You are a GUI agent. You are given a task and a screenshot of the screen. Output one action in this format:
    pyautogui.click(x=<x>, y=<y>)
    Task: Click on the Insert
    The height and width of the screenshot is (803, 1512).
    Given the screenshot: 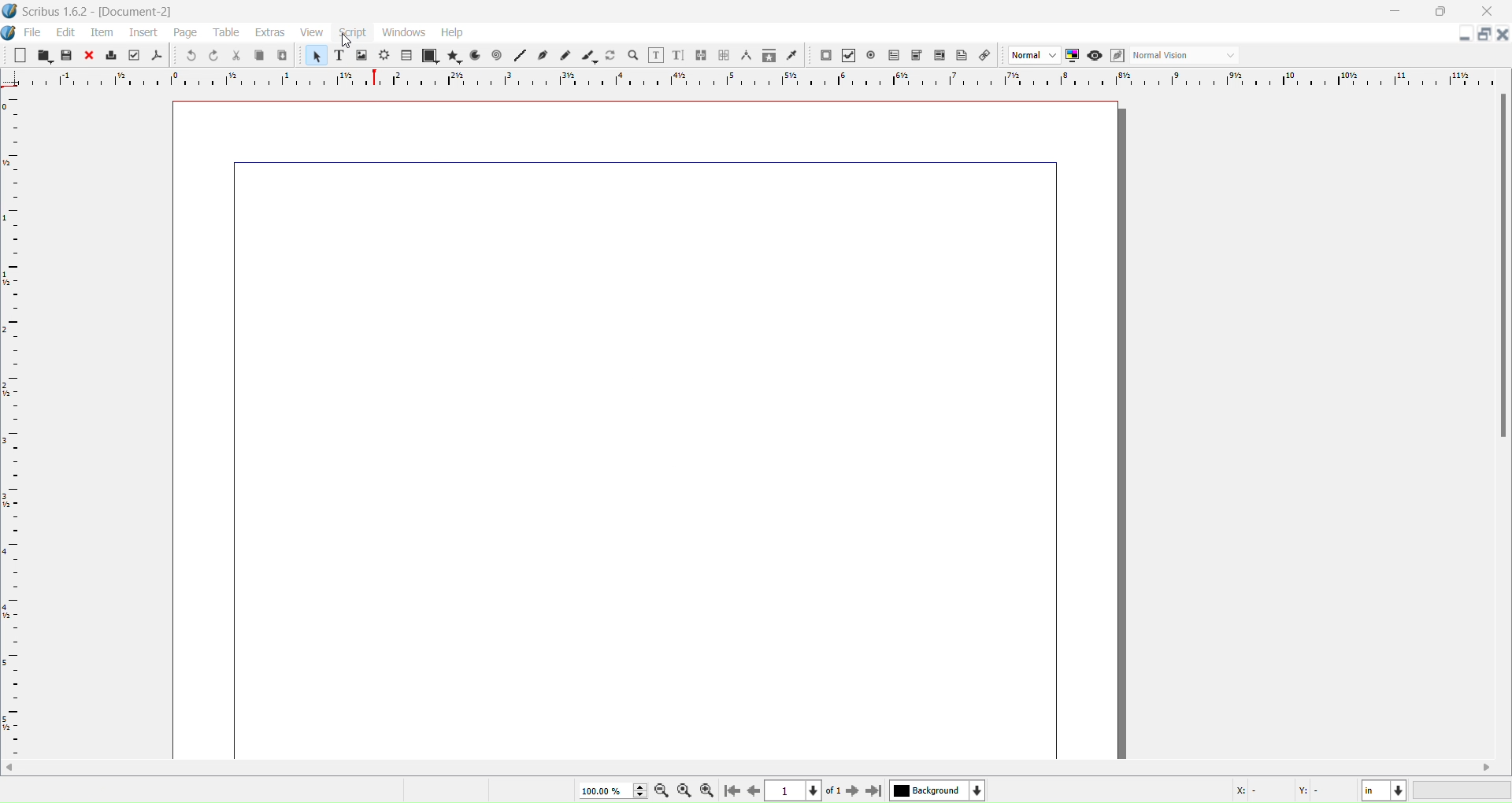 What is the action you would take?
    pyautogui.click(x=143, y=33)
    